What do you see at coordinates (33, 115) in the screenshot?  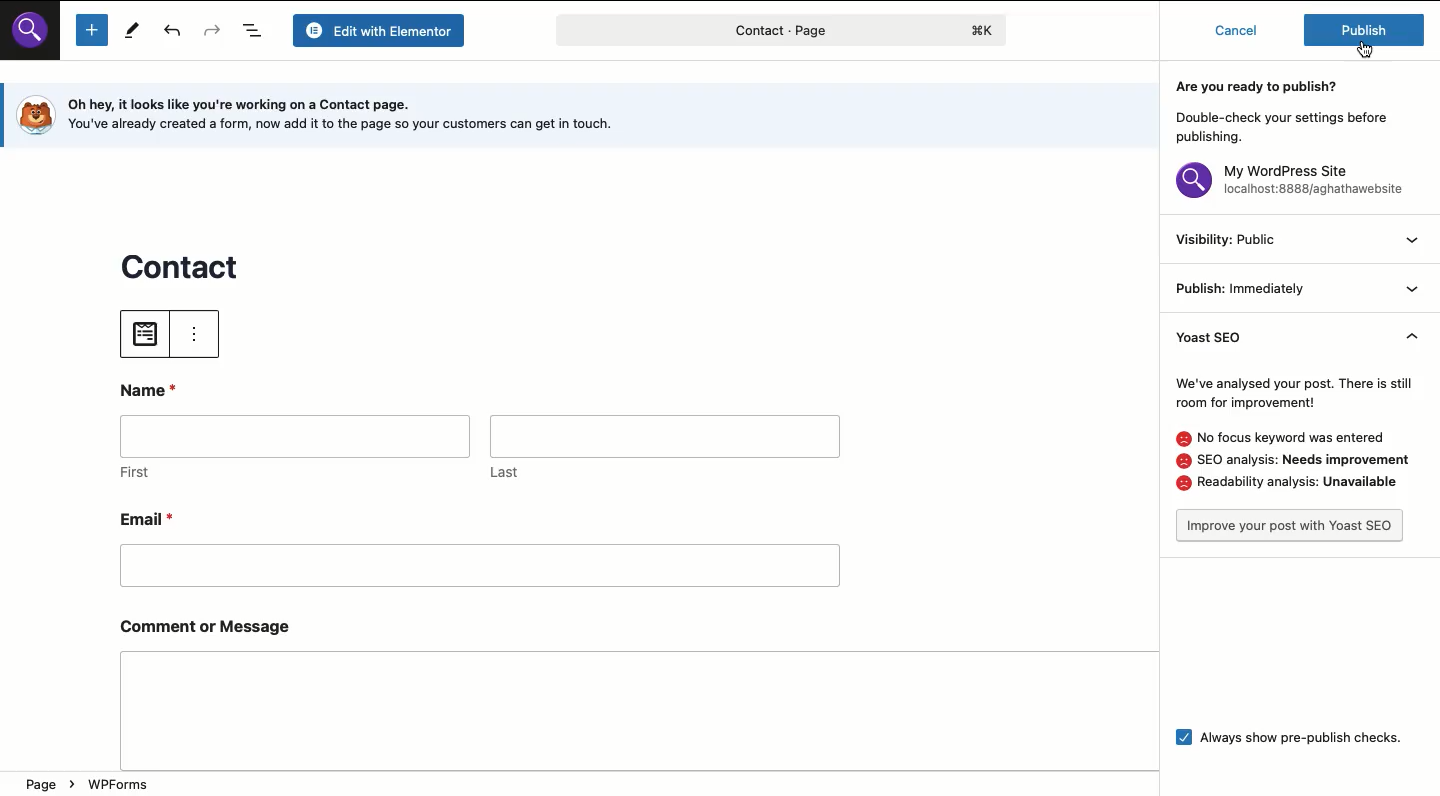 I see `logo` at bounding box center [33, 115].